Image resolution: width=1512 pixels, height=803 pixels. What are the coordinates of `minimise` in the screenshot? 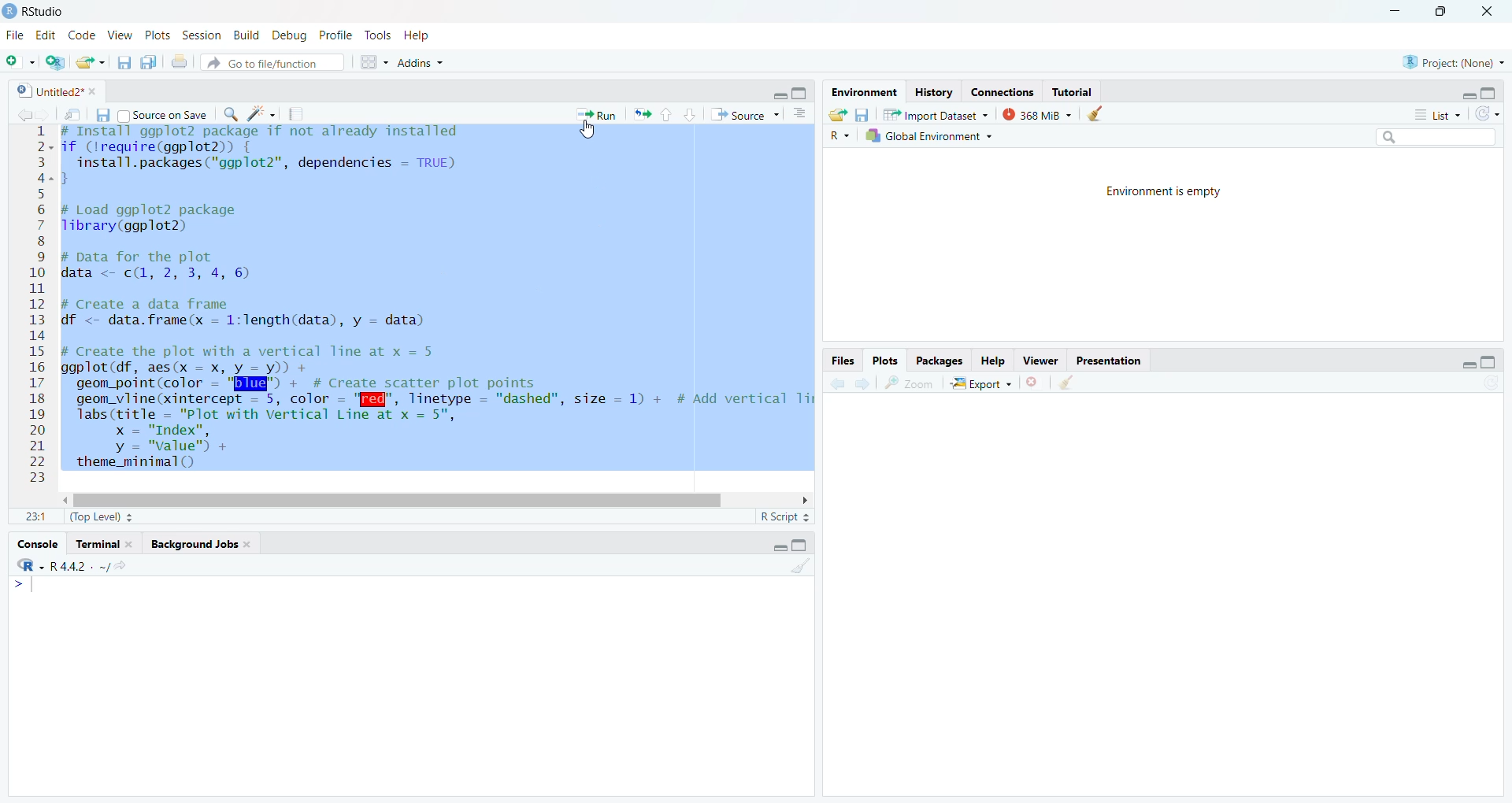 It's located at (1466, 92).